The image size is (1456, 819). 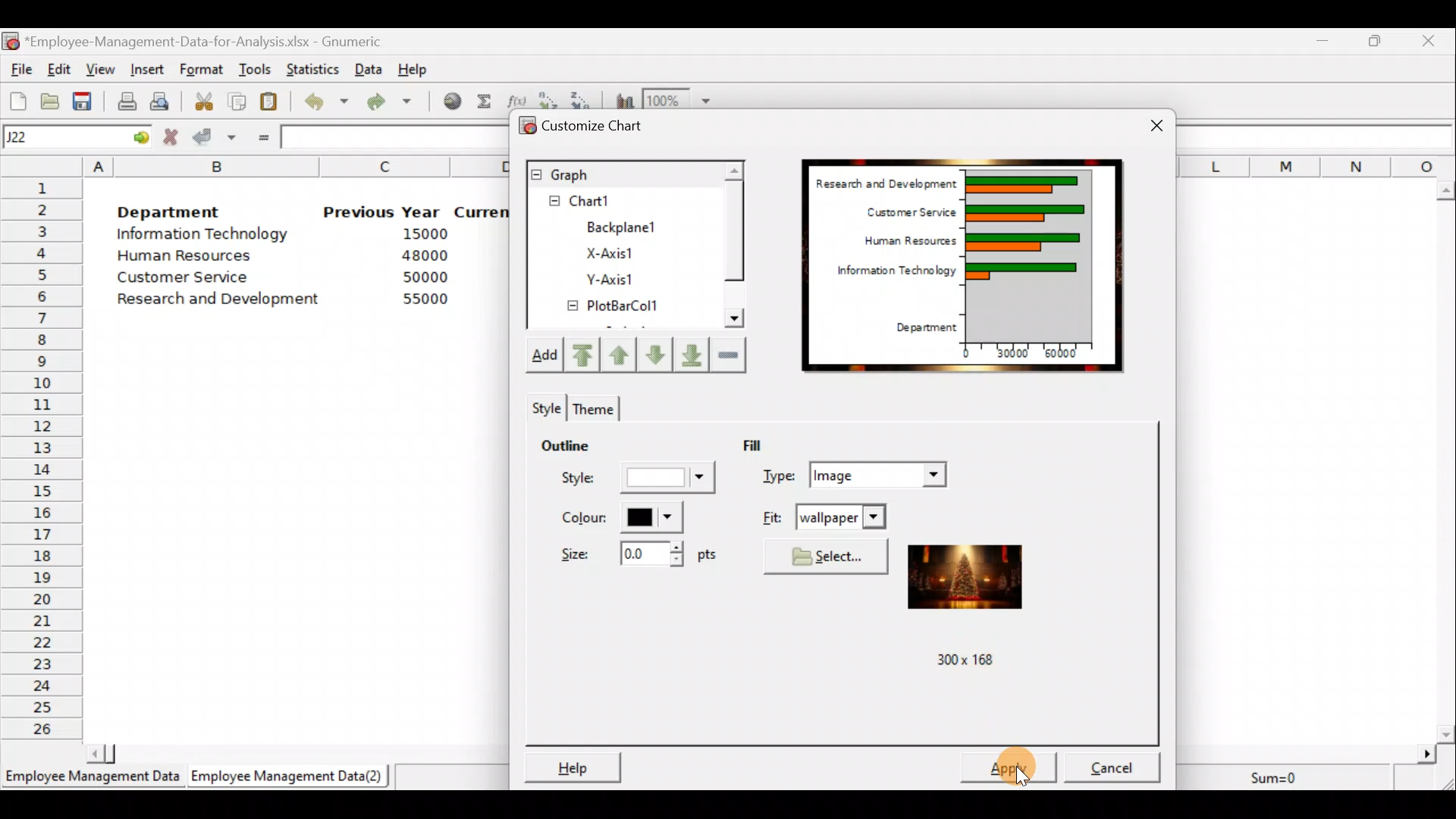 What do you see at coordinates (290, 777) in the screenshot?
I see `Employee Management Data (2)` at bounding box center [290, 777].